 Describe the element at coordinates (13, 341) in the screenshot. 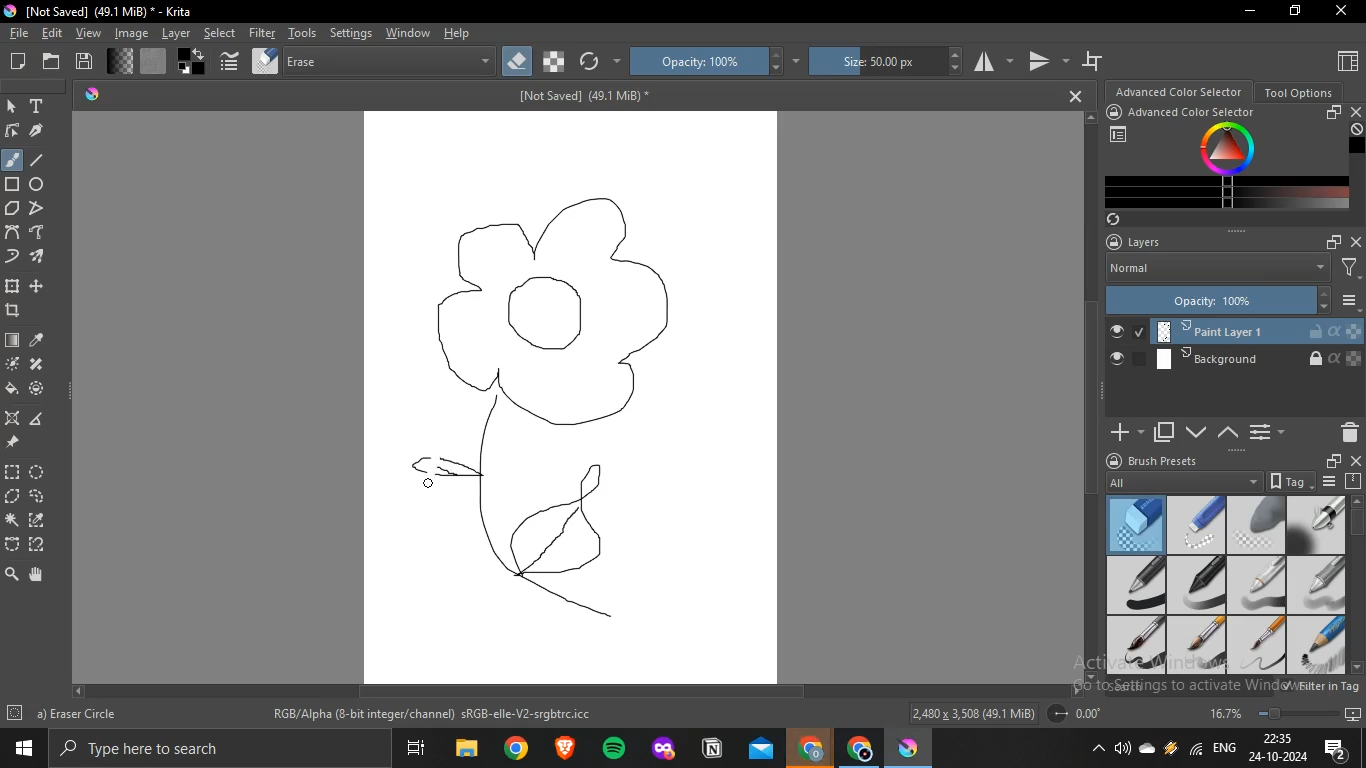

I see `draw gradient` at that location.